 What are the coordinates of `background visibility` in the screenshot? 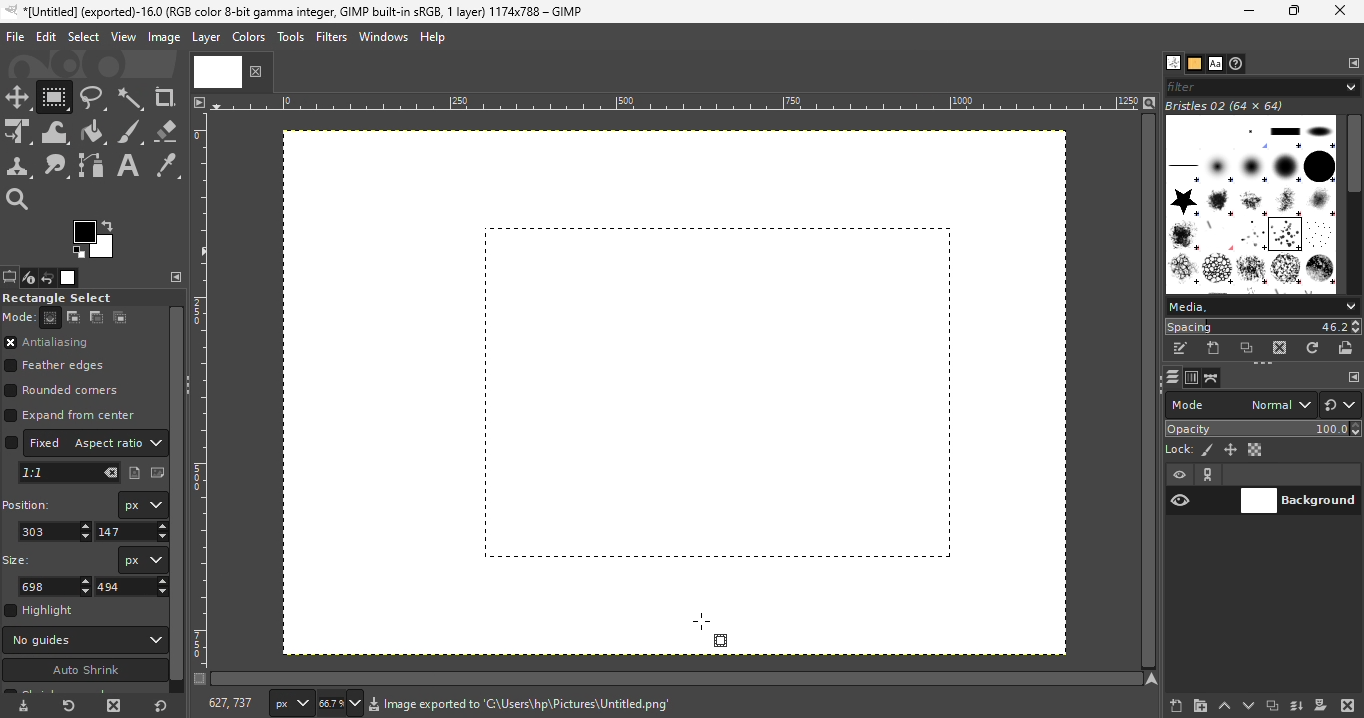 It's located at (1209, 475).